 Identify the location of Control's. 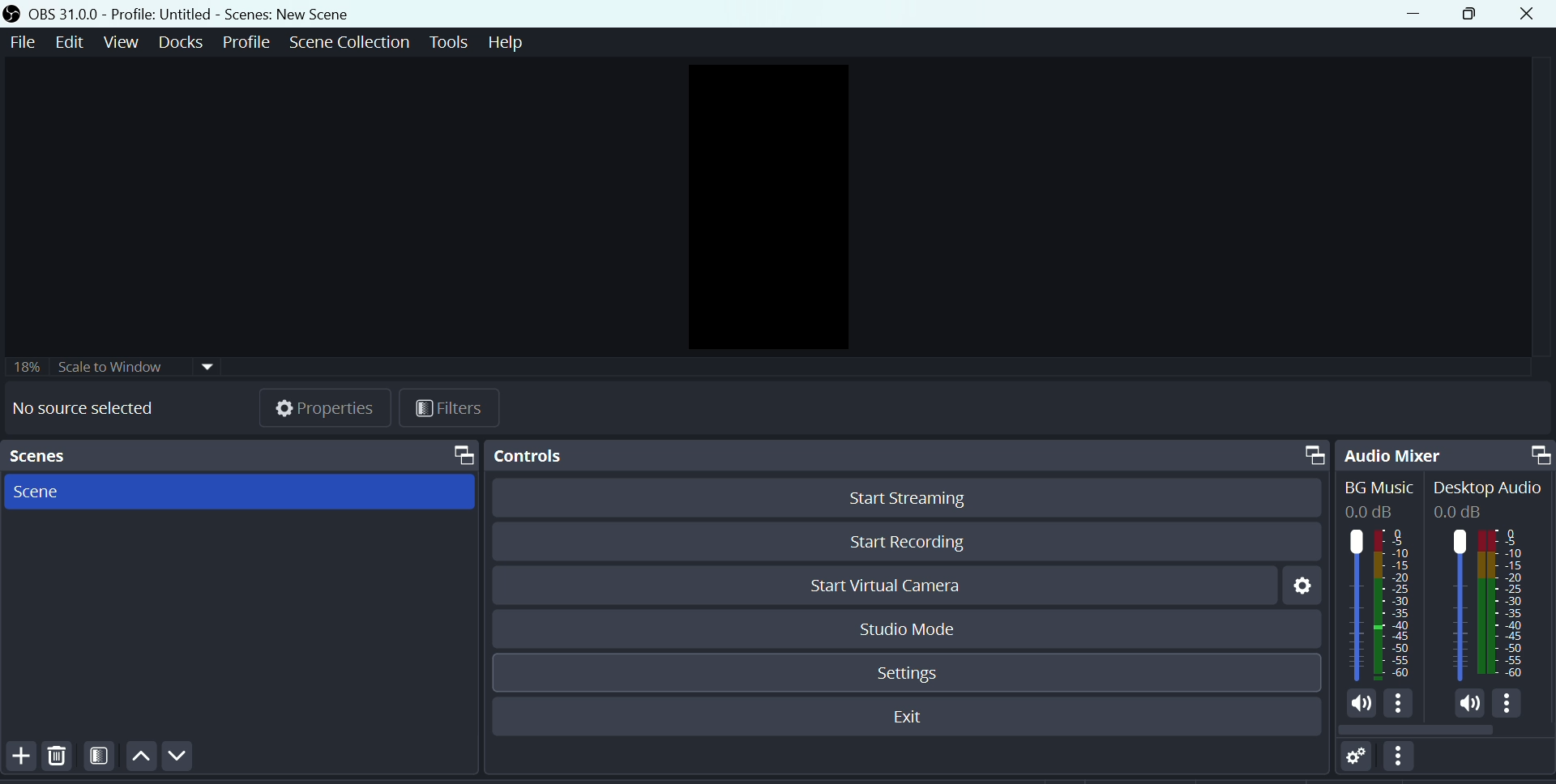
(904, 452).